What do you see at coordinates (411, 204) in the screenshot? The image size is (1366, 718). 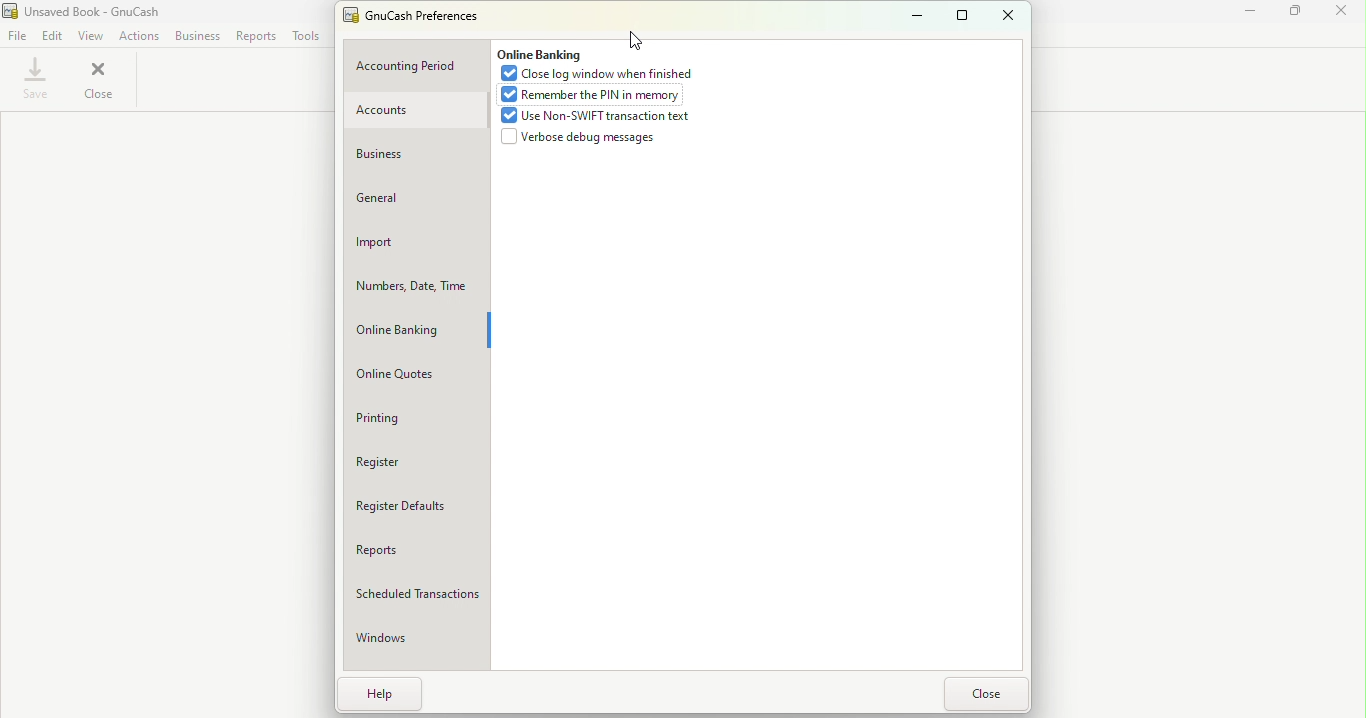 I see `General` at bounding box center [411, 204].